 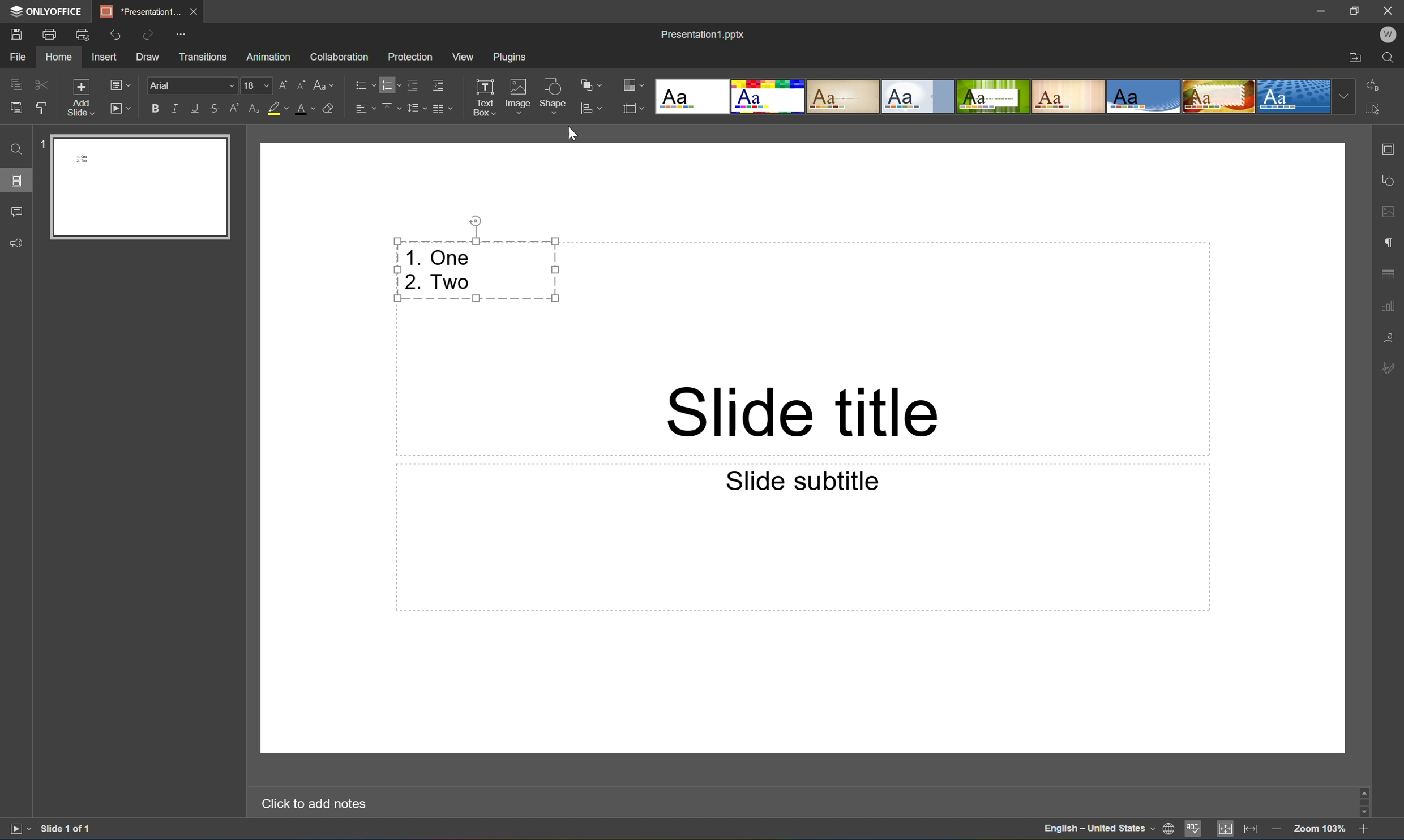 What do you see at coordinates (14, 181) in the screenshot?
I see `Slides` at bounding box center [14, 181].